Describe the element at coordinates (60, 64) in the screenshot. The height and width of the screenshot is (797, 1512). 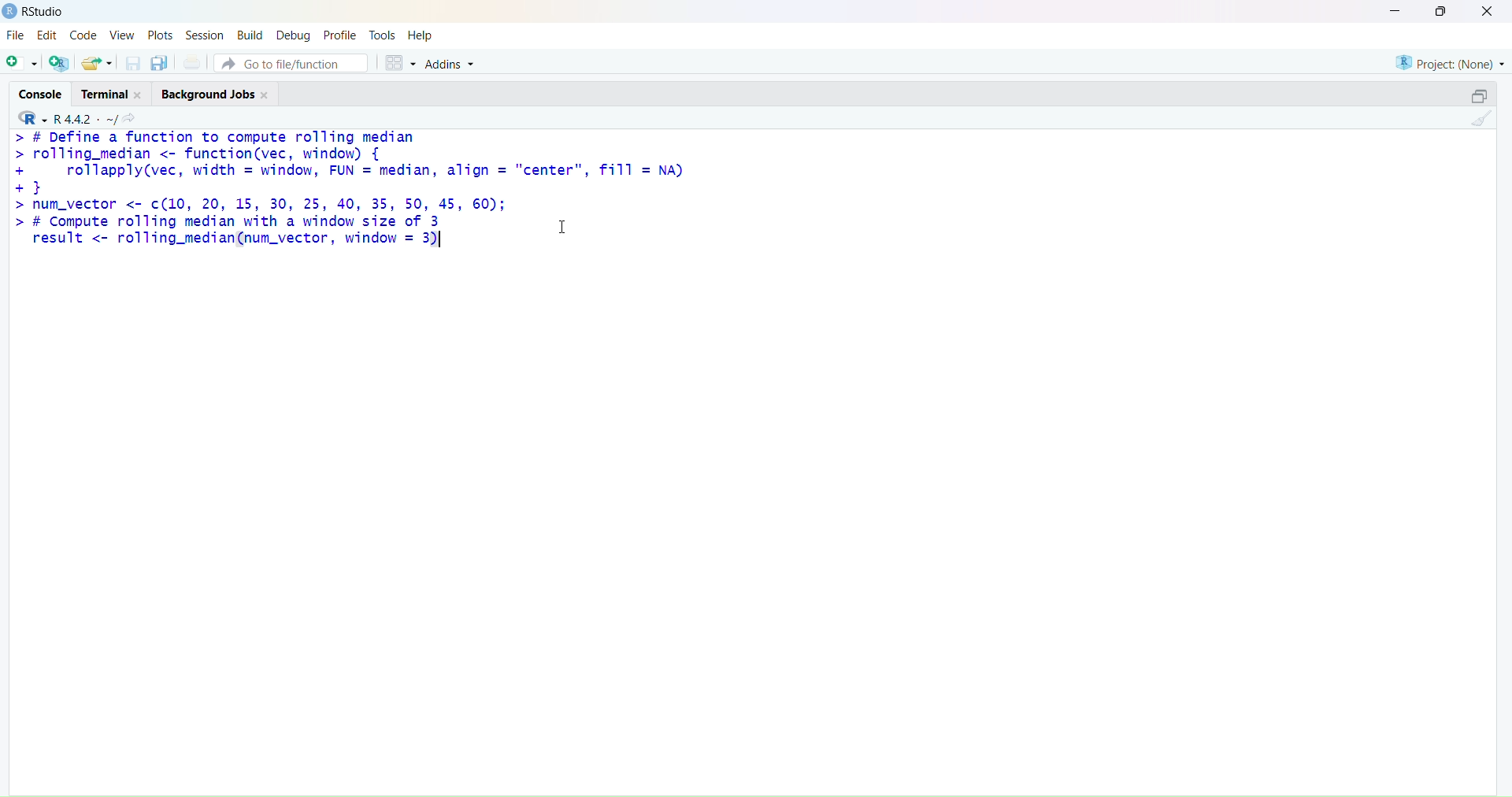
I see `add R file` at that location.